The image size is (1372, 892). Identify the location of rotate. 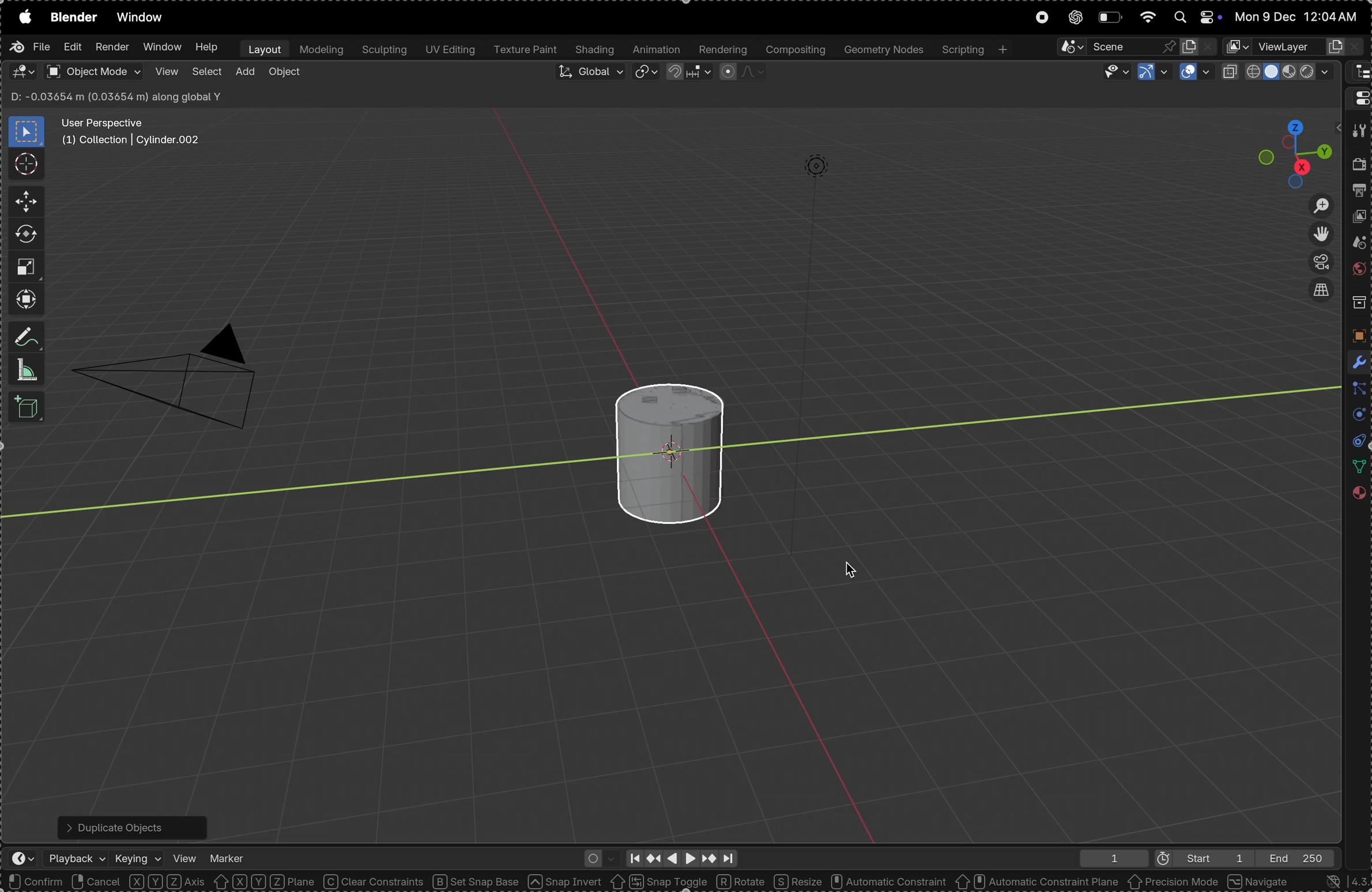
(742, 880).